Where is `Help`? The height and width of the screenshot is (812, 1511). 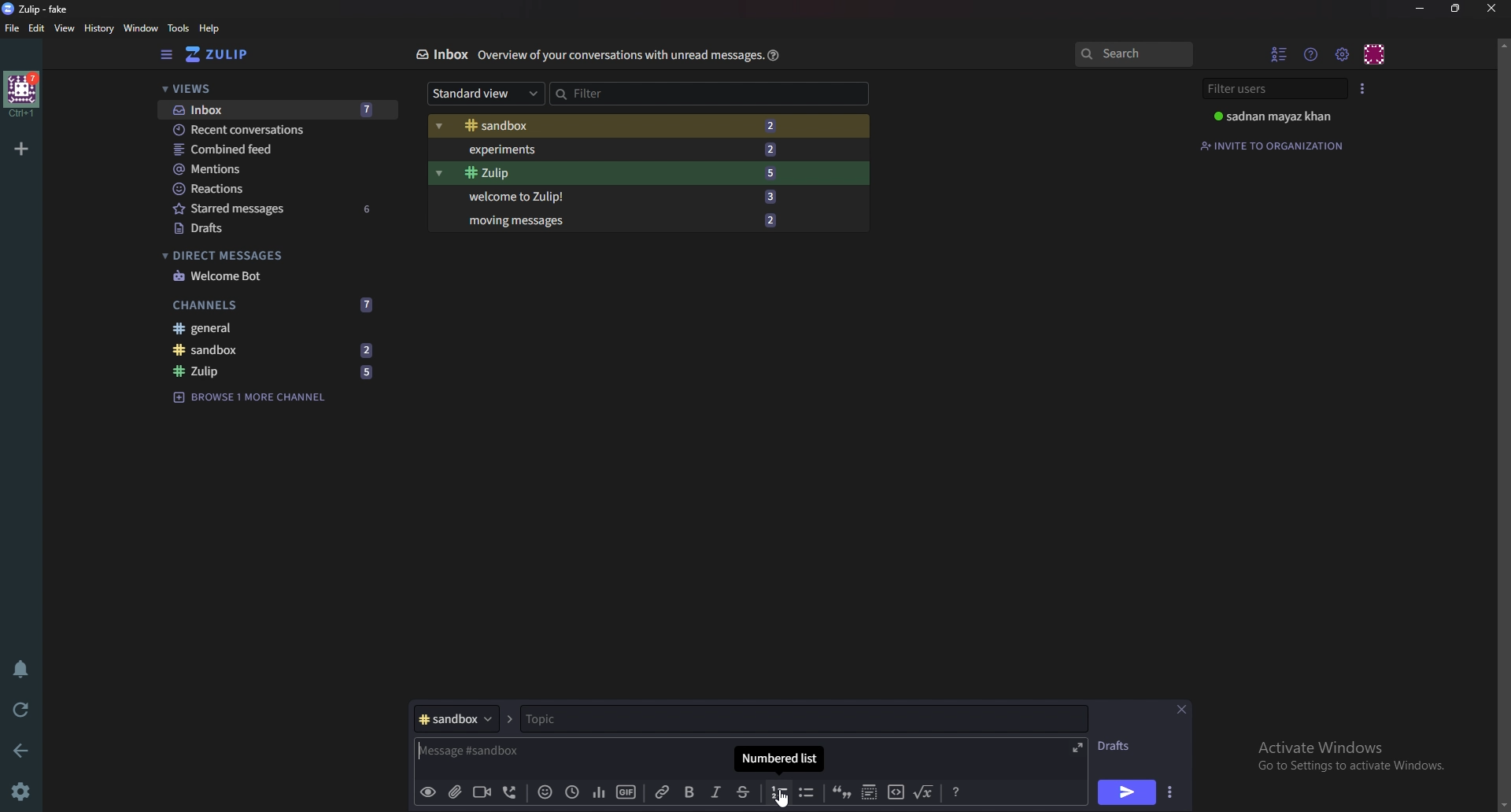 Help is located at coordinates (771, 55).